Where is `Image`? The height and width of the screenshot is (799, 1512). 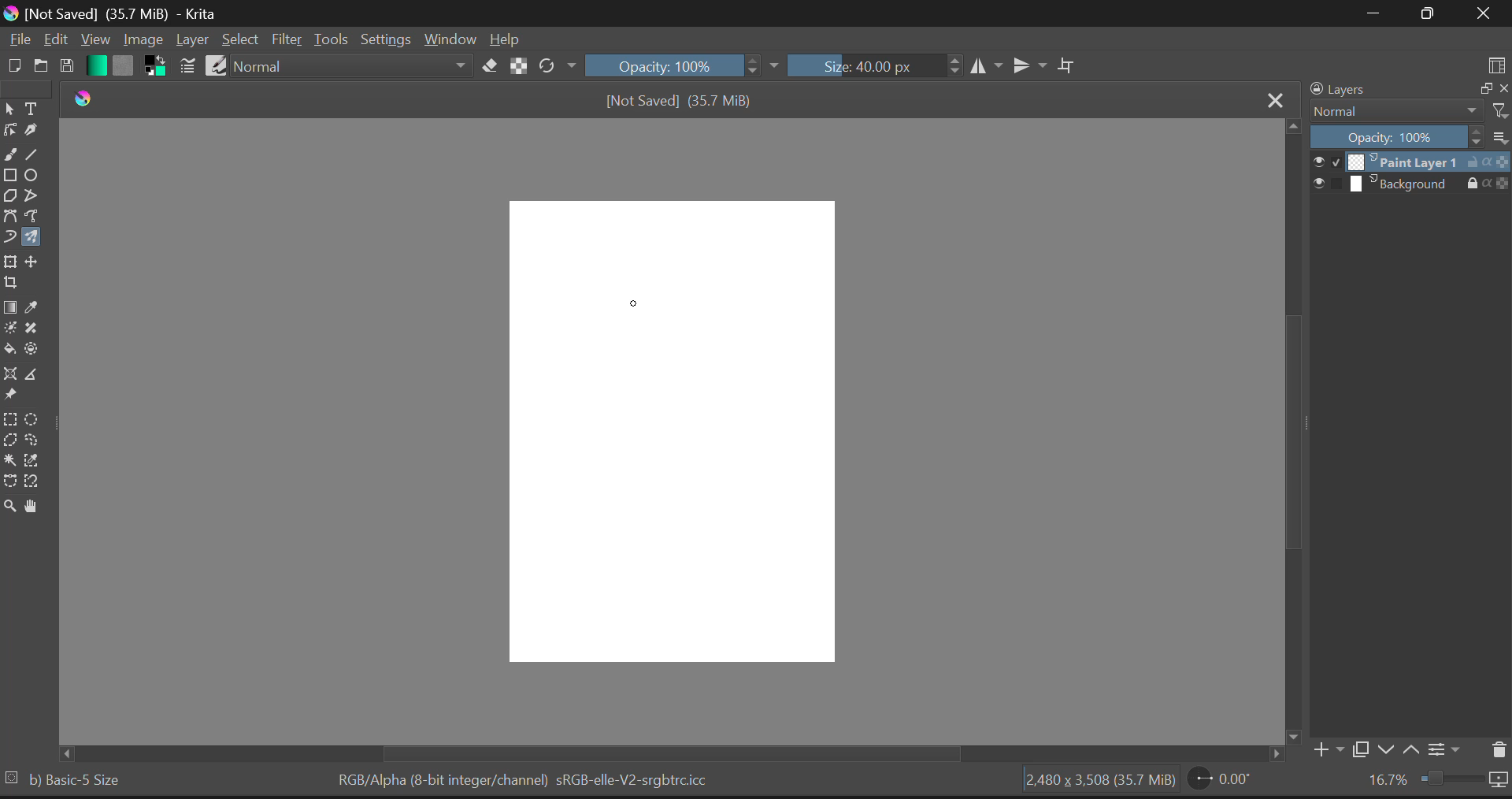
Image is located at coordinates (143, 40).